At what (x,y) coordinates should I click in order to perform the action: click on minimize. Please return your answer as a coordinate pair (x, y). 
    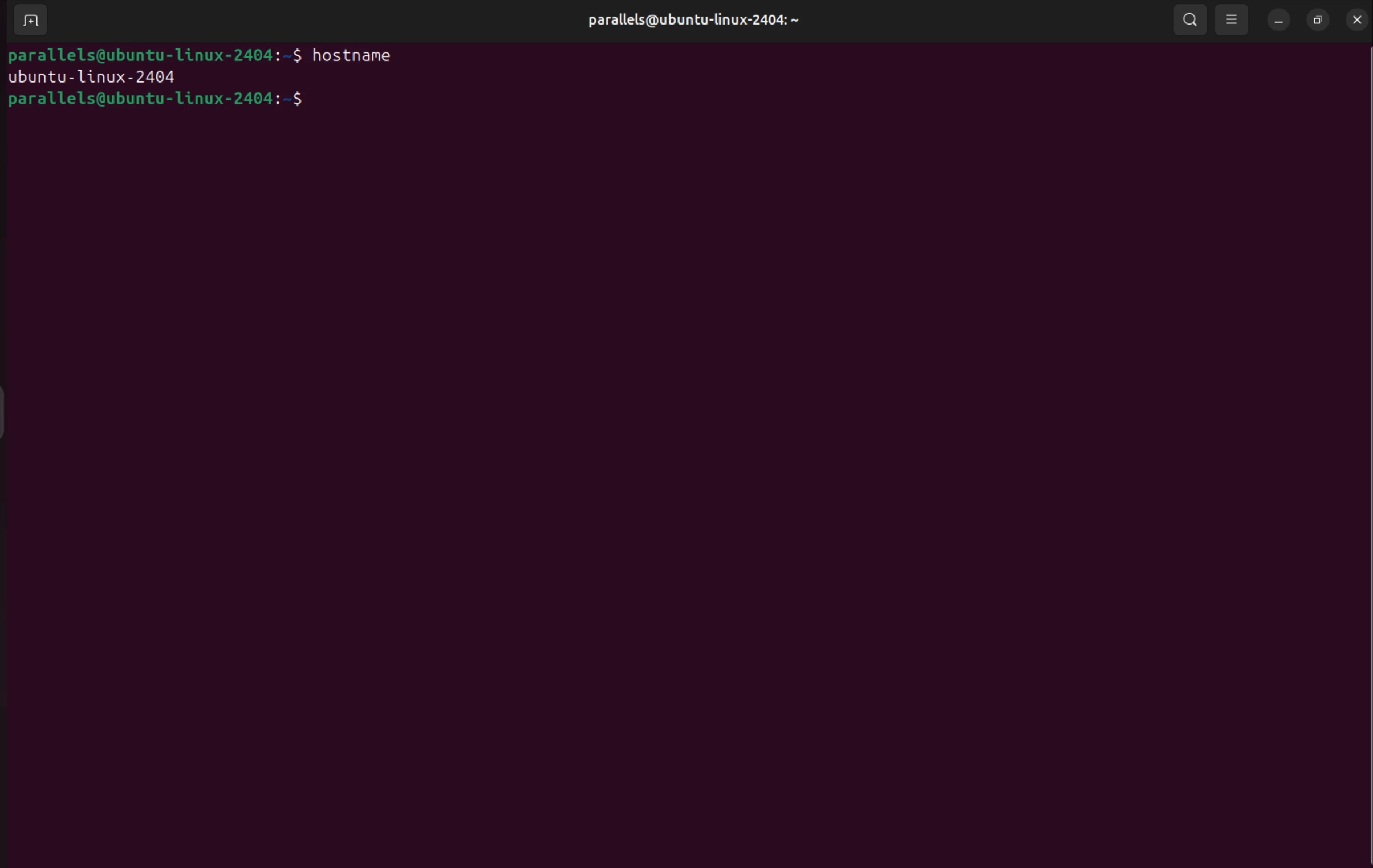
    Looking at the image, I should click on (1278, 21).